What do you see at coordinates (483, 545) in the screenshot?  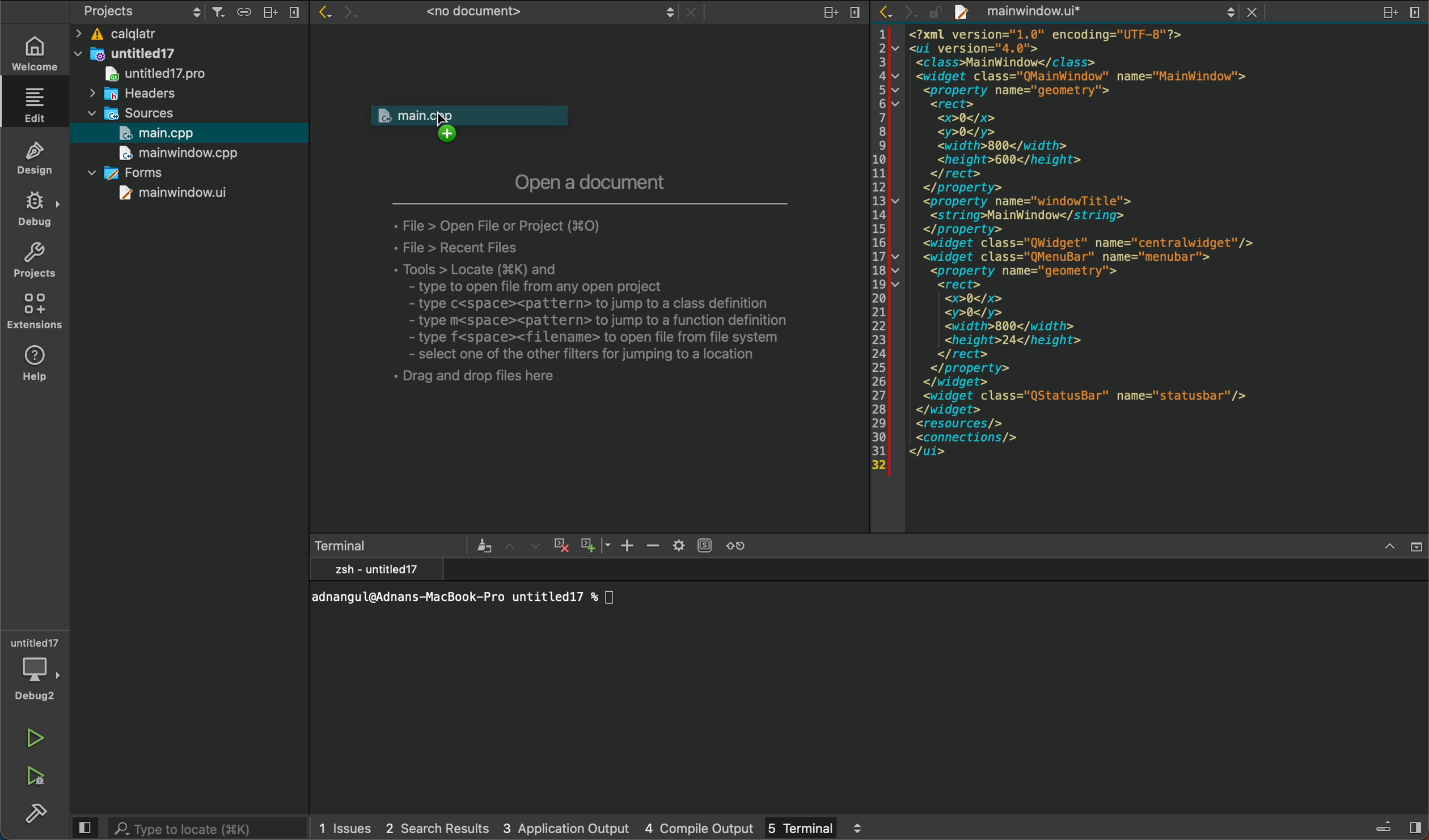 I see `clear` at bounding box center [483, 545].